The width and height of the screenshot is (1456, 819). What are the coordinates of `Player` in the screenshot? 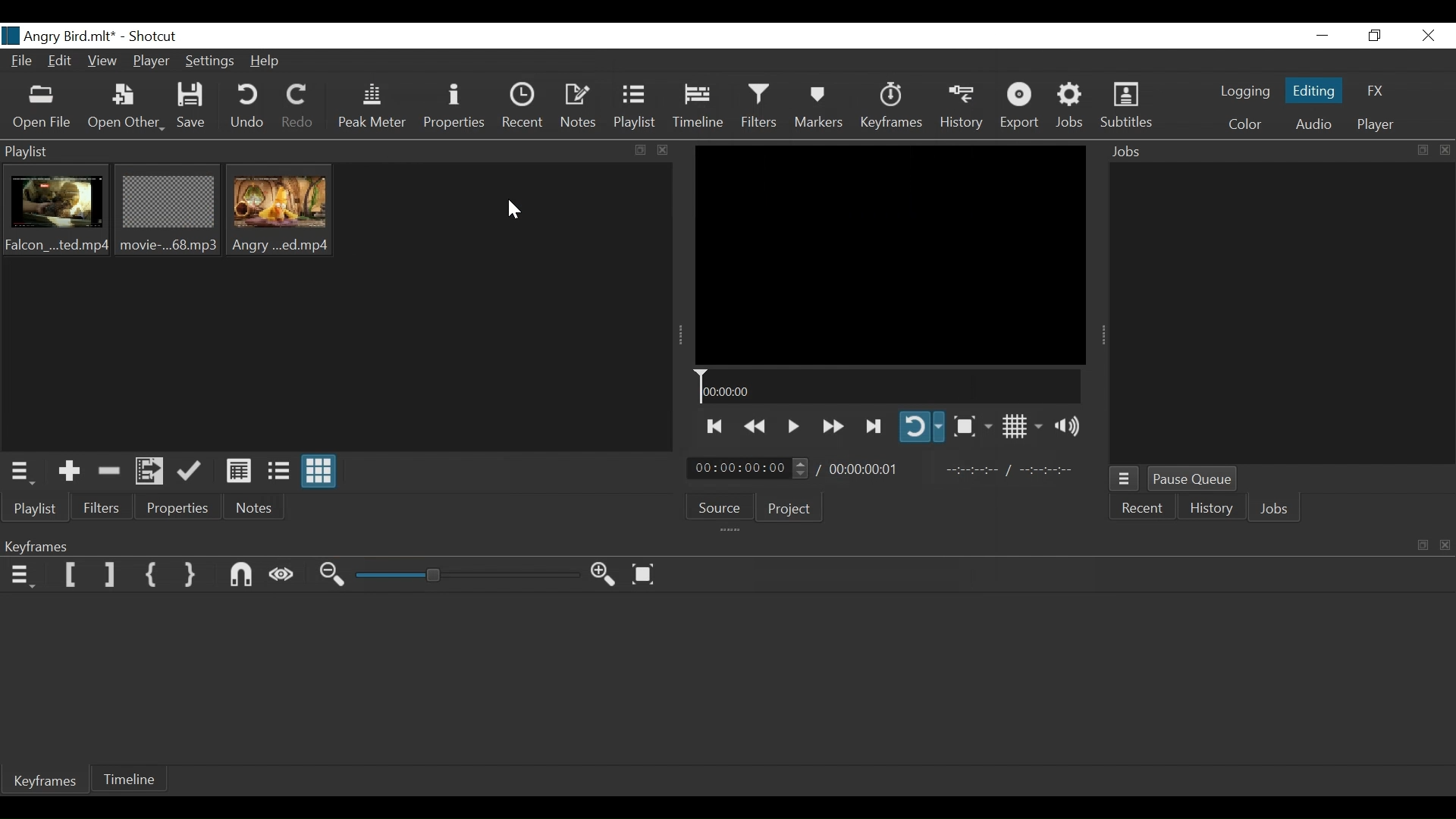 It's located at (1372, 126).